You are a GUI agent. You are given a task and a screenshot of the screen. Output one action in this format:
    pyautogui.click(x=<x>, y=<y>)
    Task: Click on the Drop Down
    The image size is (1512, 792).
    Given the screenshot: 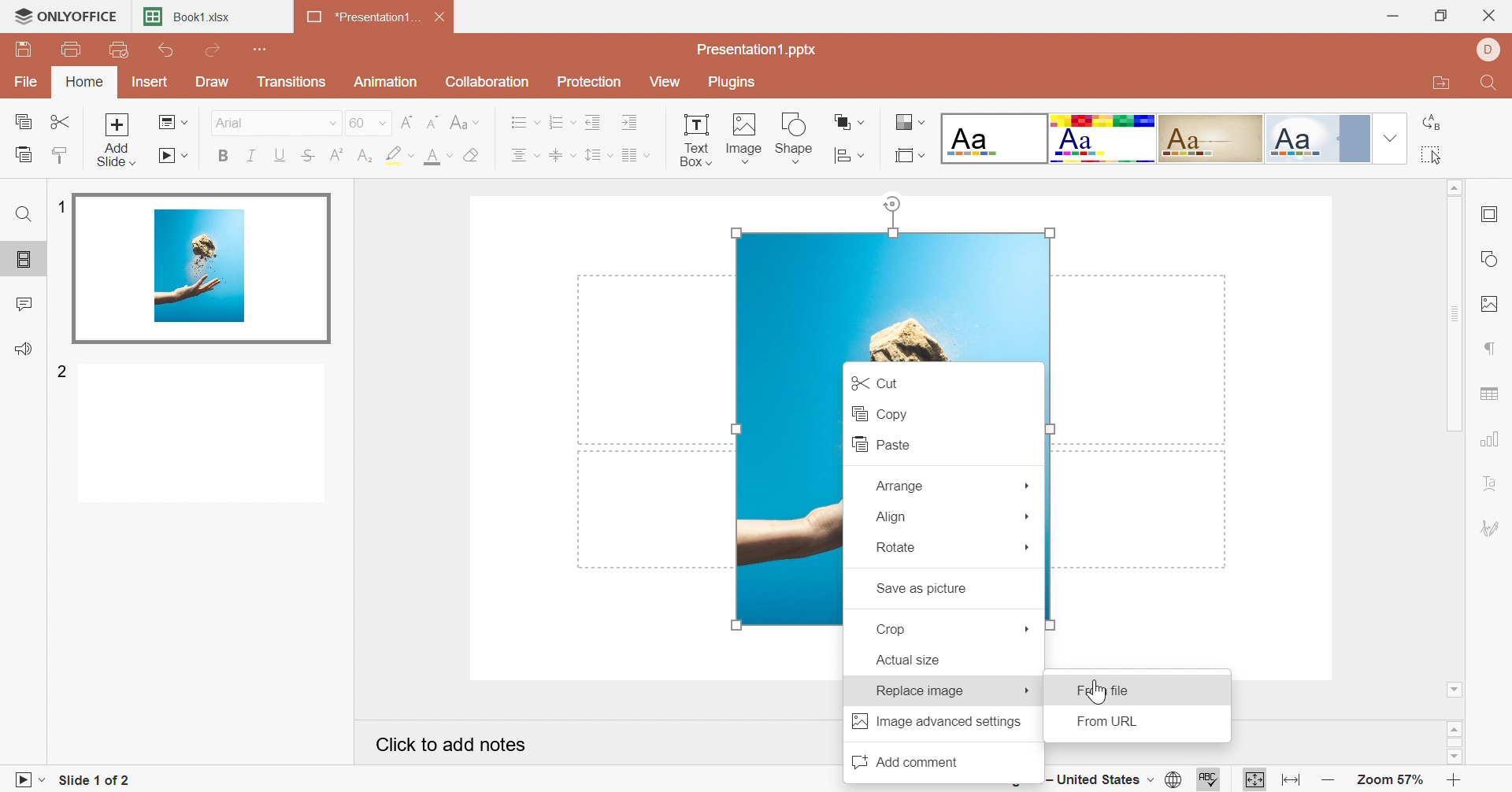 What is the action you would take?
    pyautogui.click(x=1028, y=691)
    